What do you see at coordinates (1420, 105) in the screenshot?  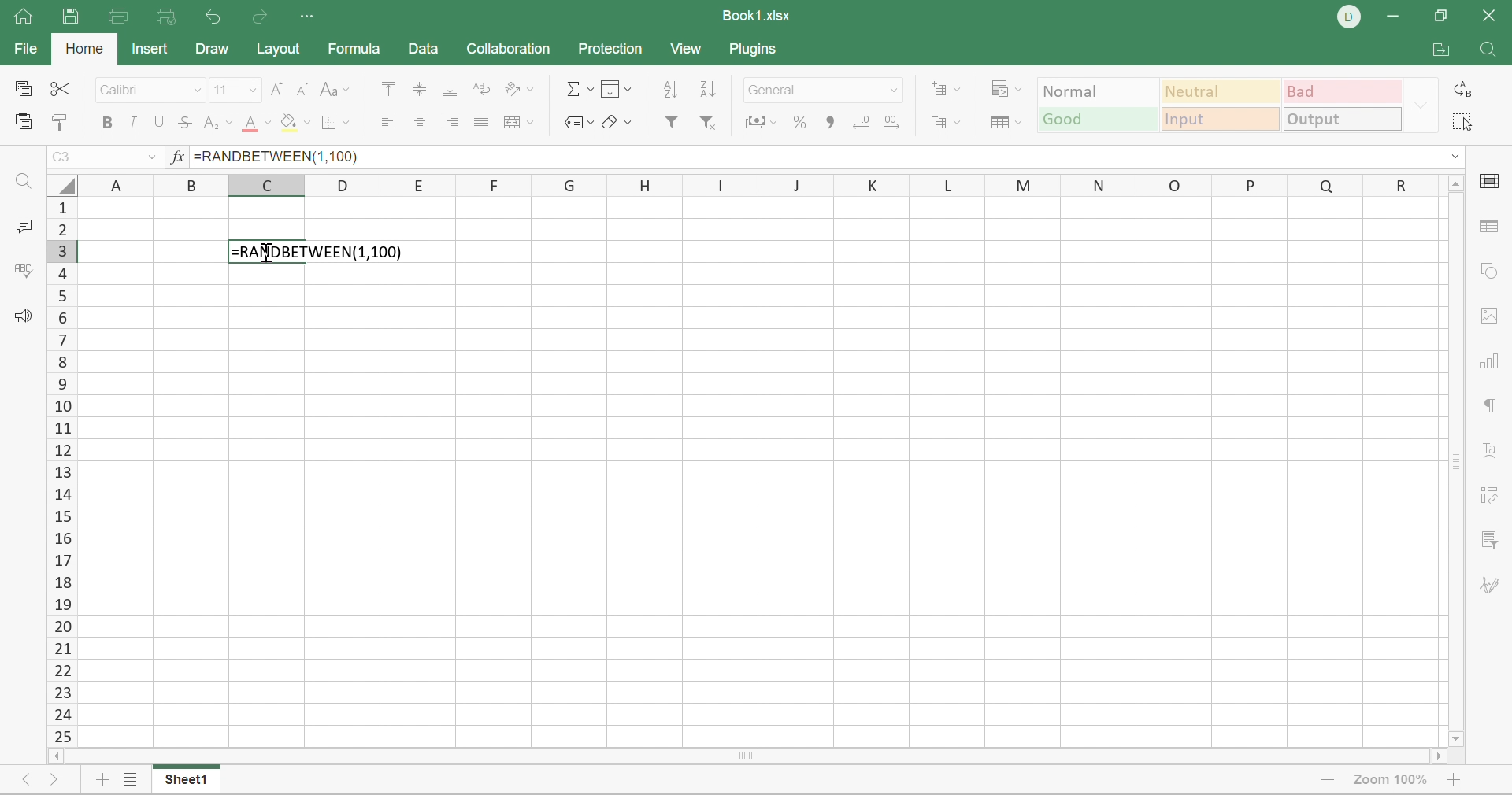 I see `Drop Down` at bounding box center [1420, 105].